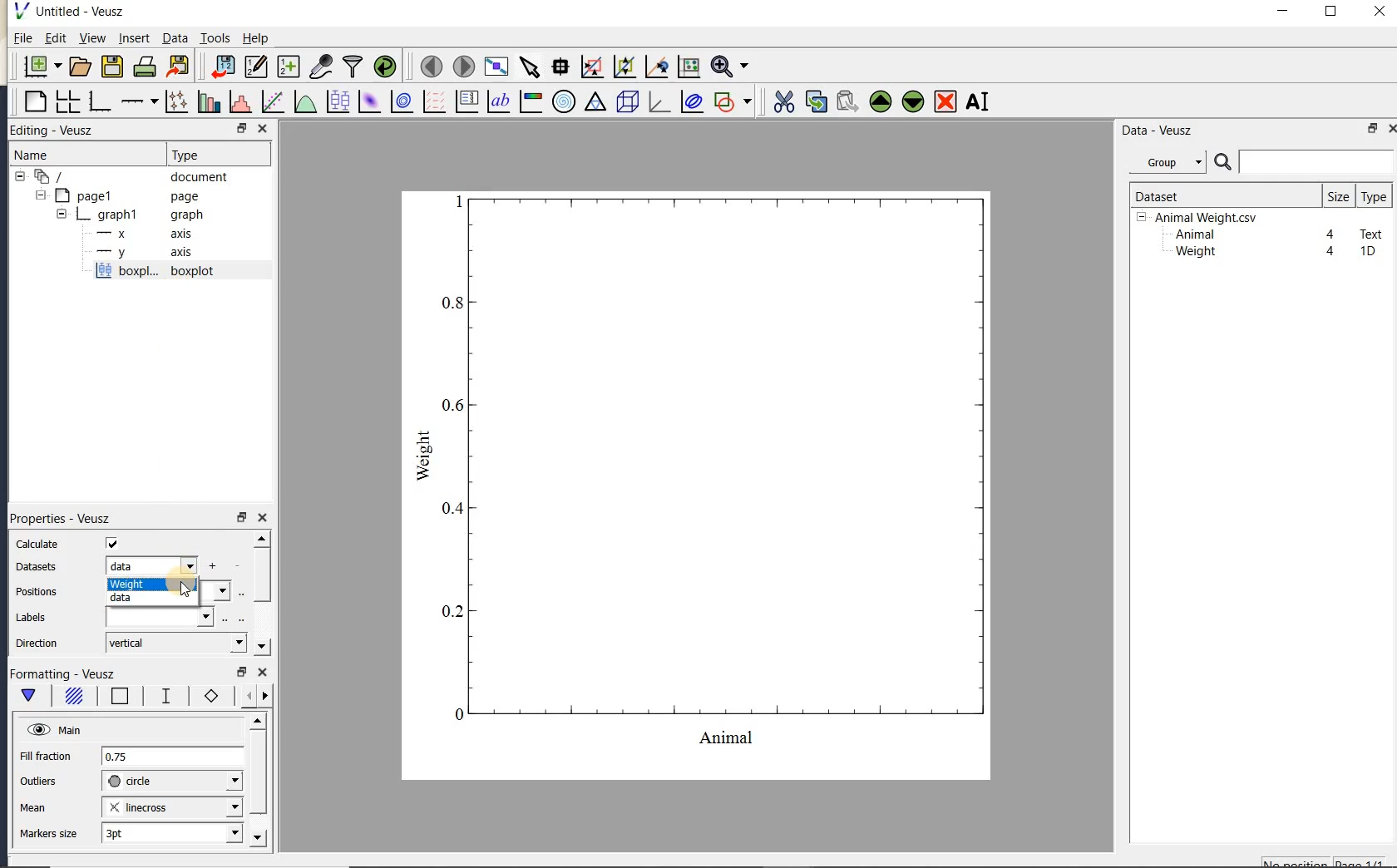 The height and width of the screenshot is (868, 1397). Describe the element at coordinates (39, 782) in the screenshot. I see `outliers` at that location.